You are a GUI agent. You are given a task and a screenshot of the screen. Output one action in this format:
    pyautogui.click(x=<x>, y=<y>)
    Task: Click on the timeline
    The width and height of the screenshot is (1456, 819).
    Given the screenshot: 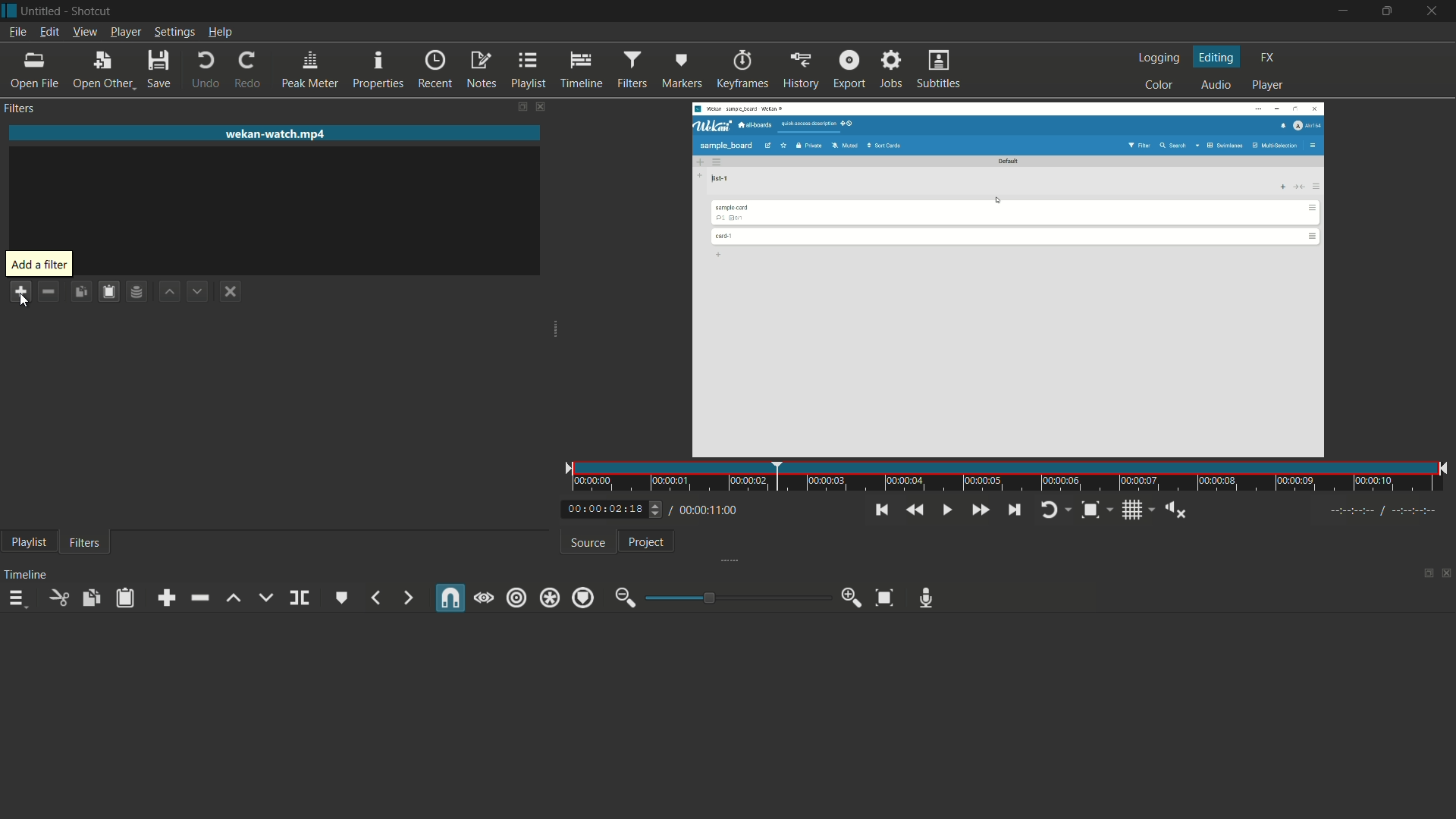 What is the action you would take?
    pyautogui.click(x=26, y=575)
    